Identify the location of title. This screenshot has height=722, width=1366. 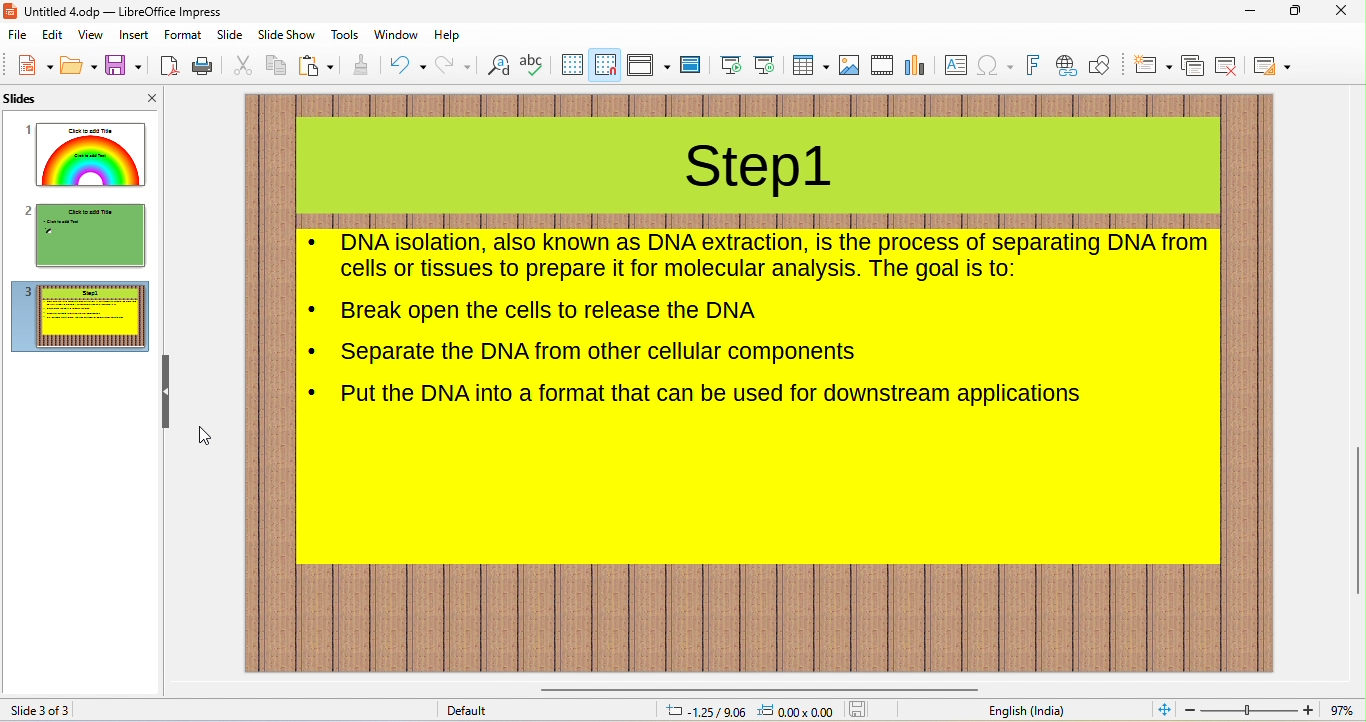
(125, 12).